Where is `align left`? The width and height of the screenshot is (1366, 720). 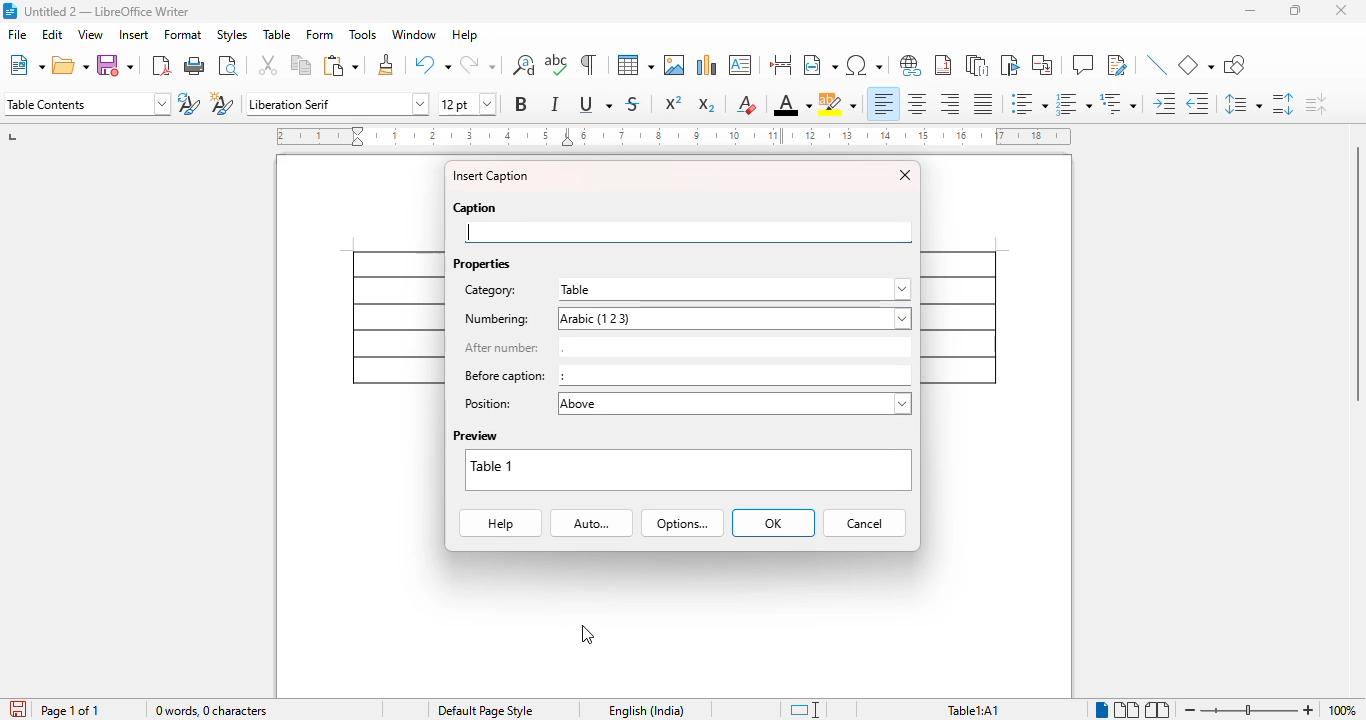 align left is located at coordinates (884, 104).